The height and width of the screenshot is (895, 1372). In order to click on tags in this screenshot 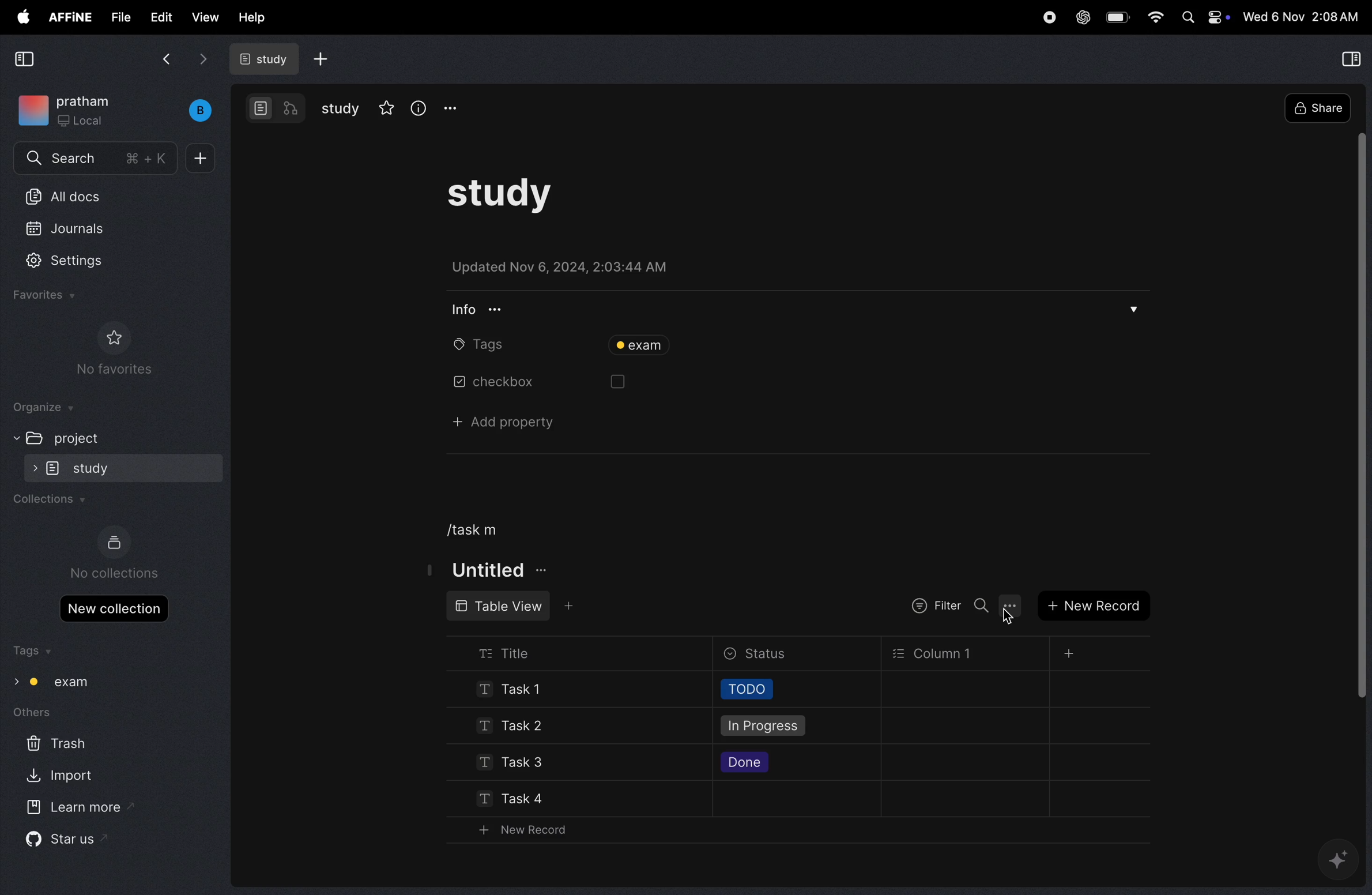, I will do `click(469, 345)`.